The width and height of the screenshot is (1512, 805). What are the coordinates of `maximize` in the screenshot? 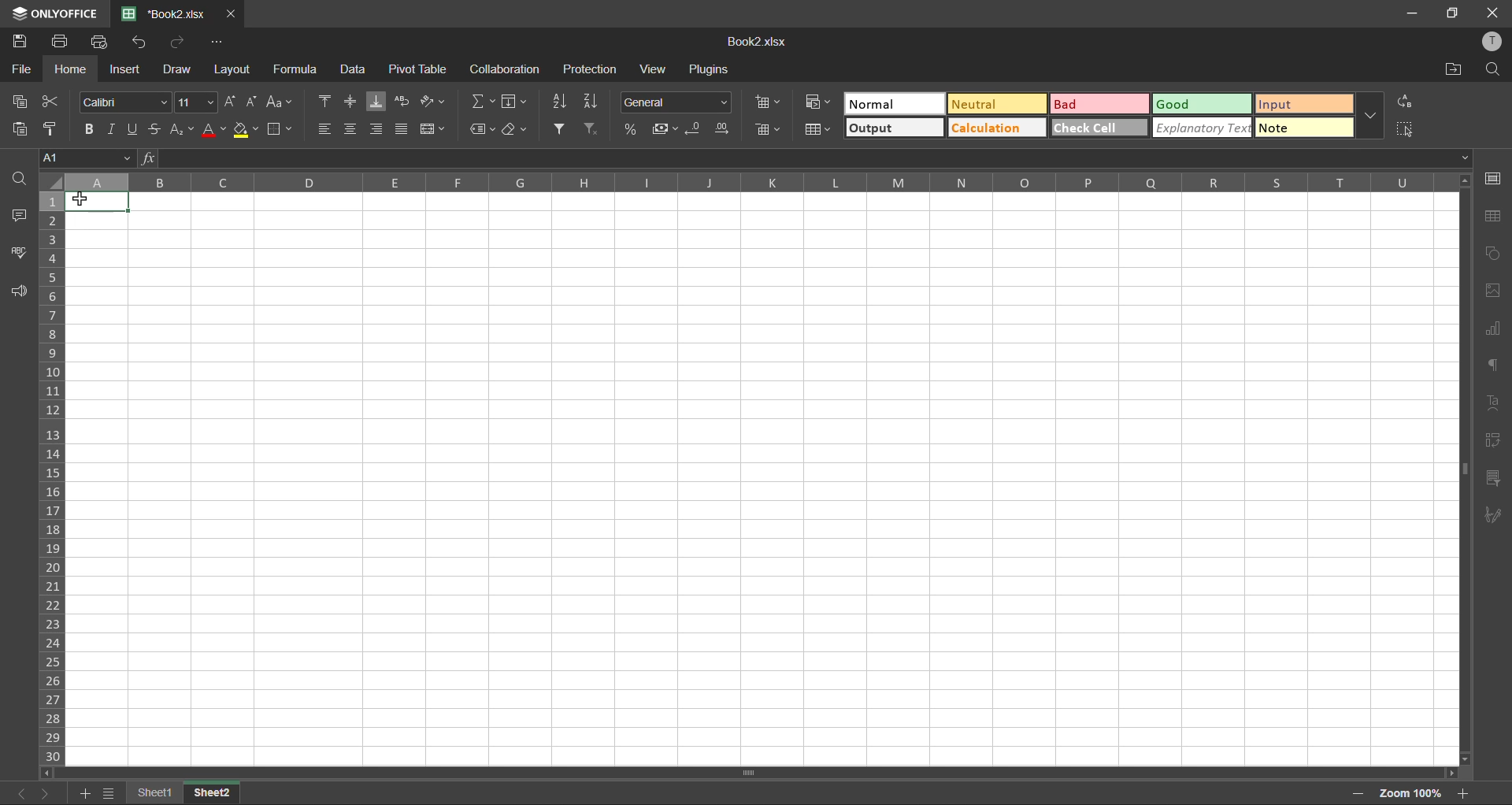 It's located at (1455, 13).